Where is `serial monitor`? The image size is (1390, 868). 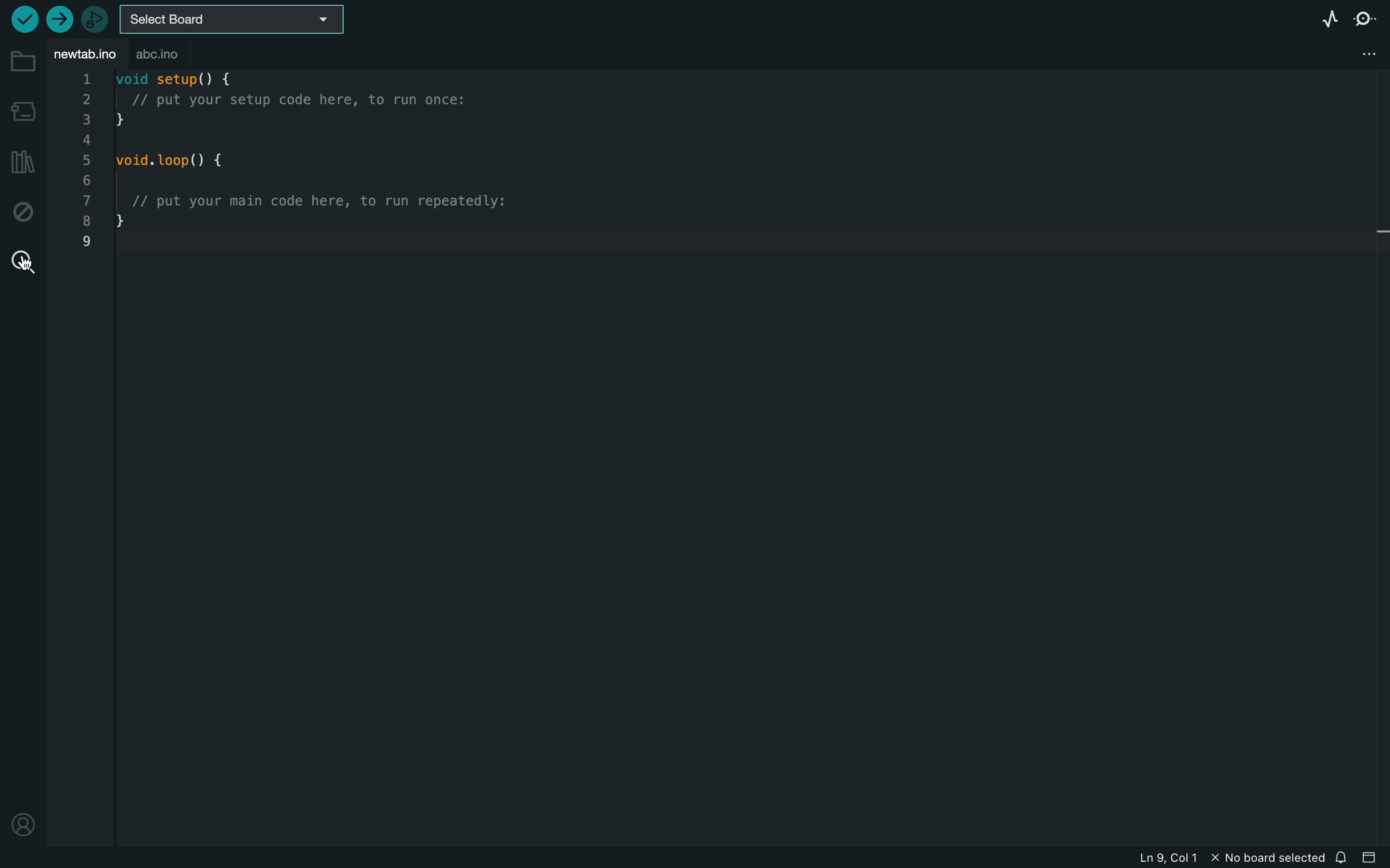
serial monitor is located at coordinates (1364, 21).